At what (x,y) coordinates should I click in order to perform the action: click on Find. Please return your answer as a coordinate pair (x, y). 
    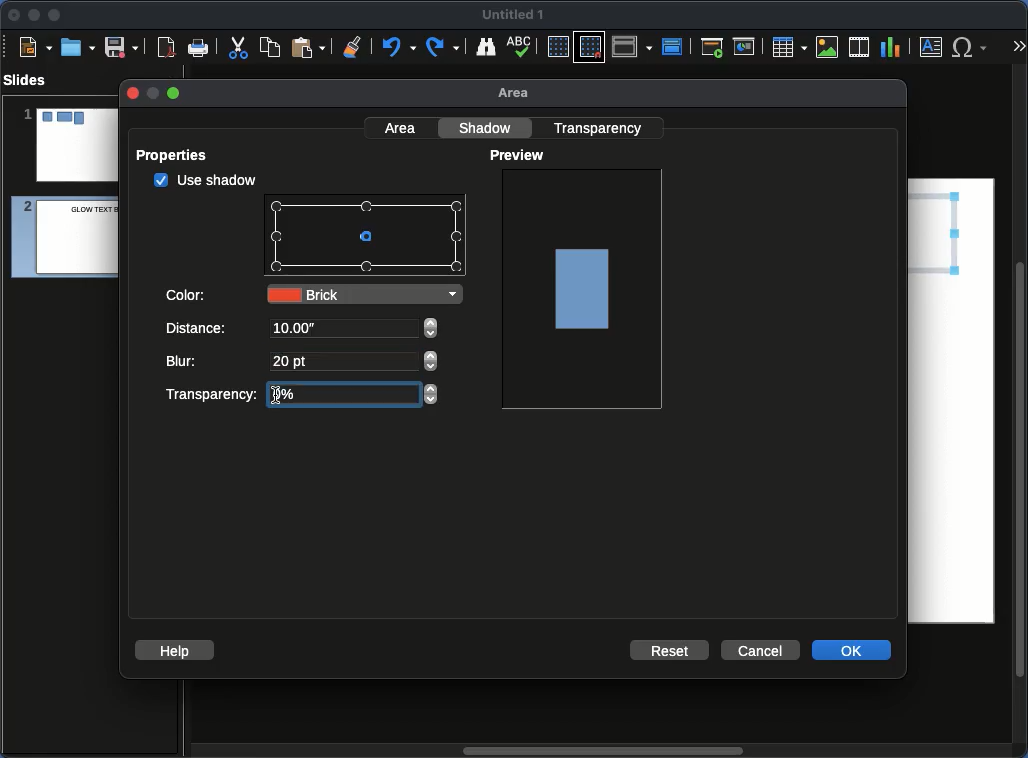
    Looking at the image, I should click on (485, 46).